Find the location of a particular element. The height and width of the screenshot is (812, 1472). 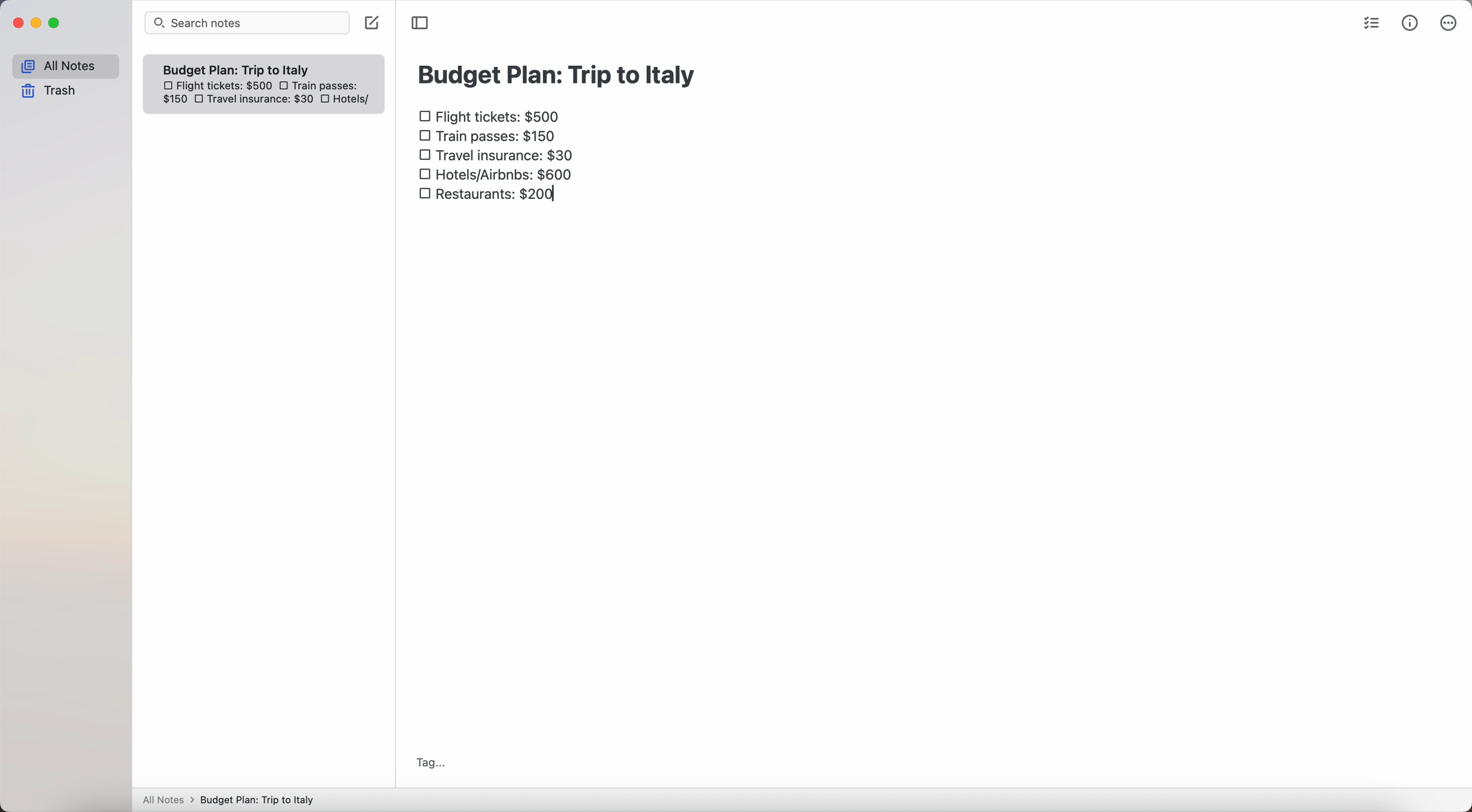

create note is located at coordinates (371, 24).